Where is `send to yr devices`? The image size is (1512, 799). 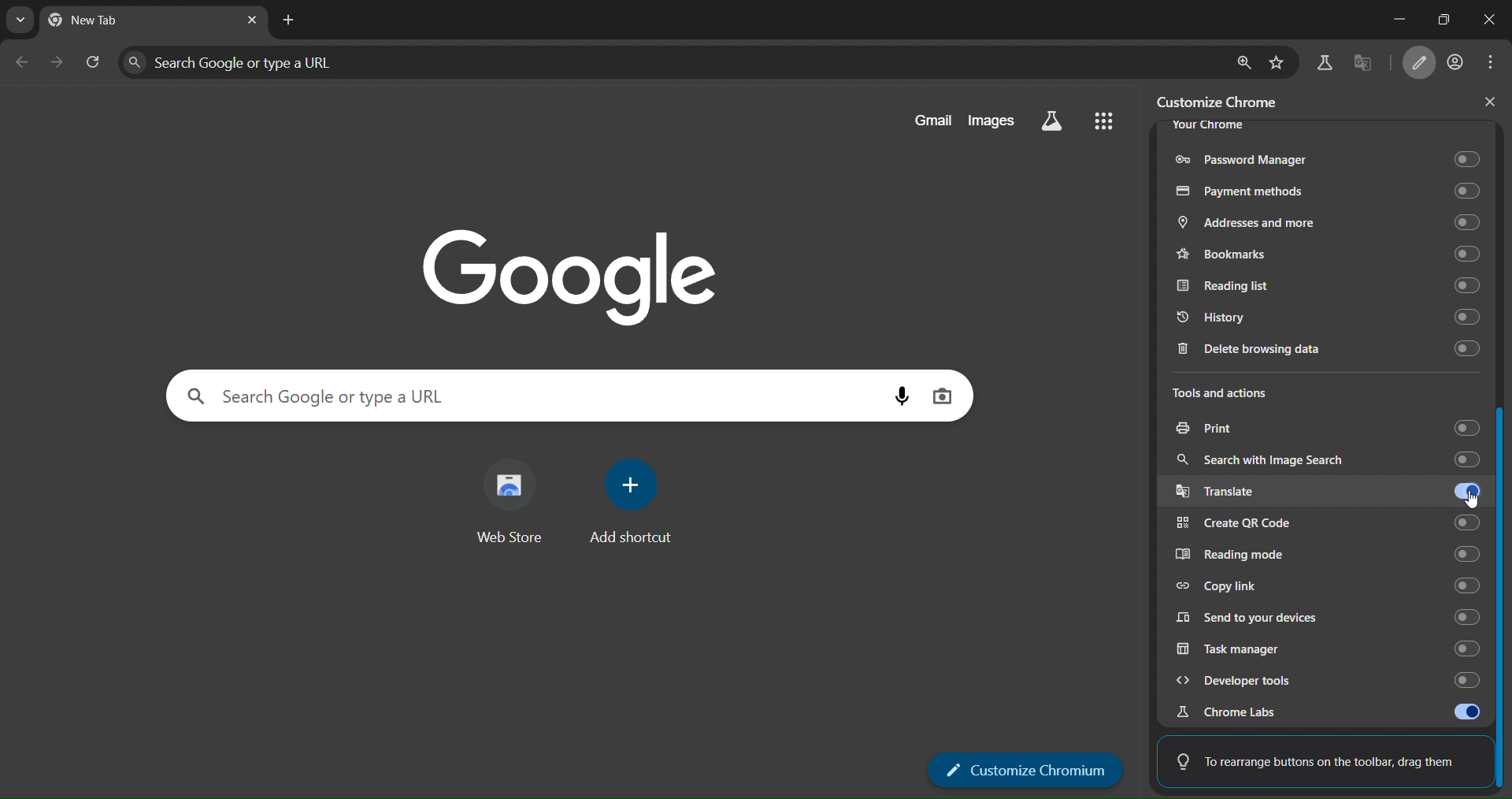
send to yr devices is located at coordinates (1324, 618).